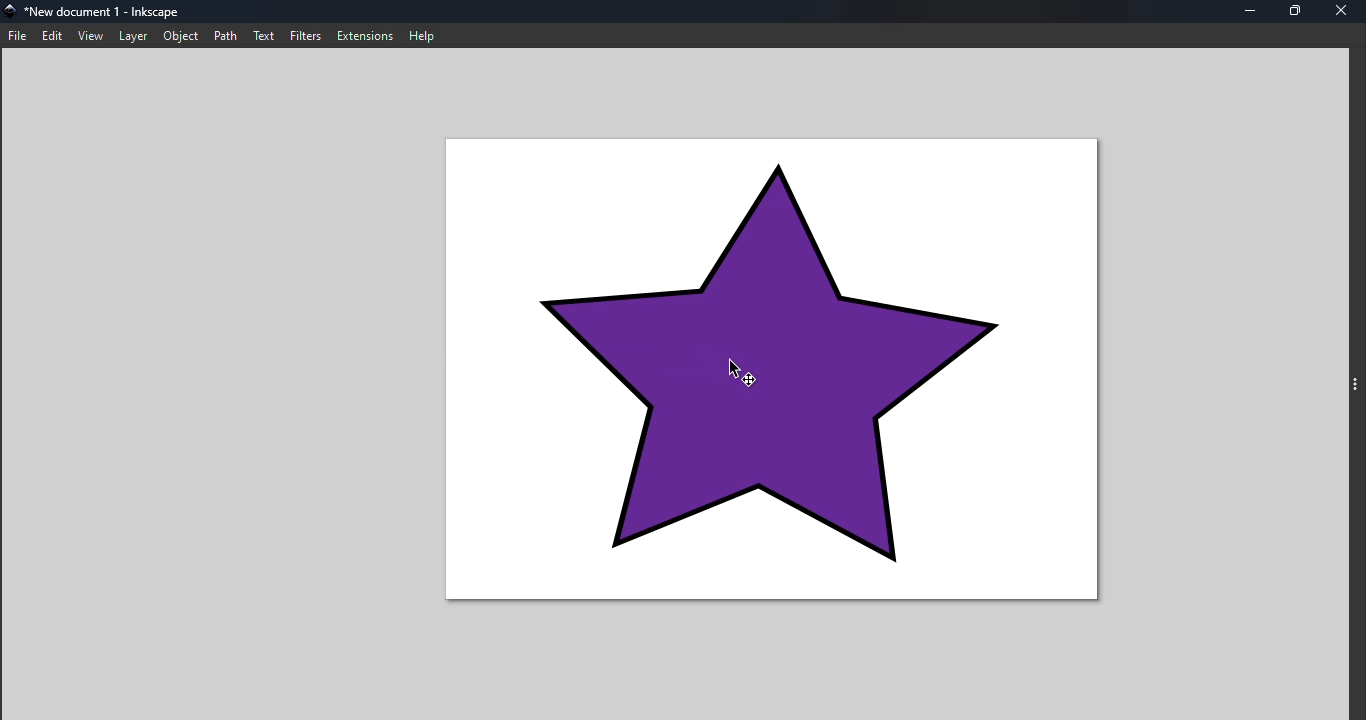 Image resolution: width=1366 pixels, height=720 pixels. What do you see at coordinates (179, 35) in the screenshot?
I see `Object` at bounding box center [179, 35].